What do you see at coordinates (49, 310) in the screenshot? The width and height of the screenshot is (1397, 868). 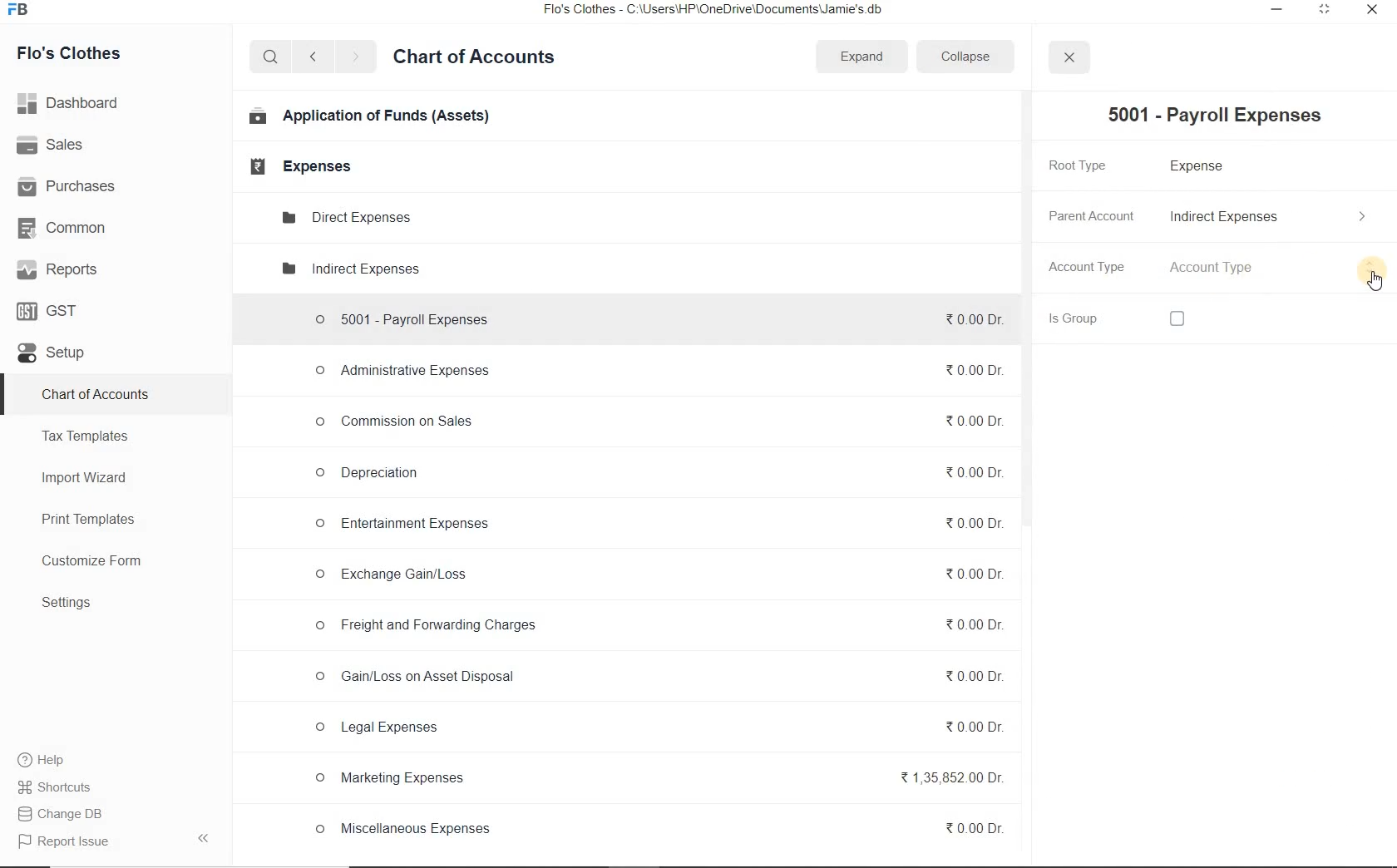 I see `GST` at bounding box center [49, 310].